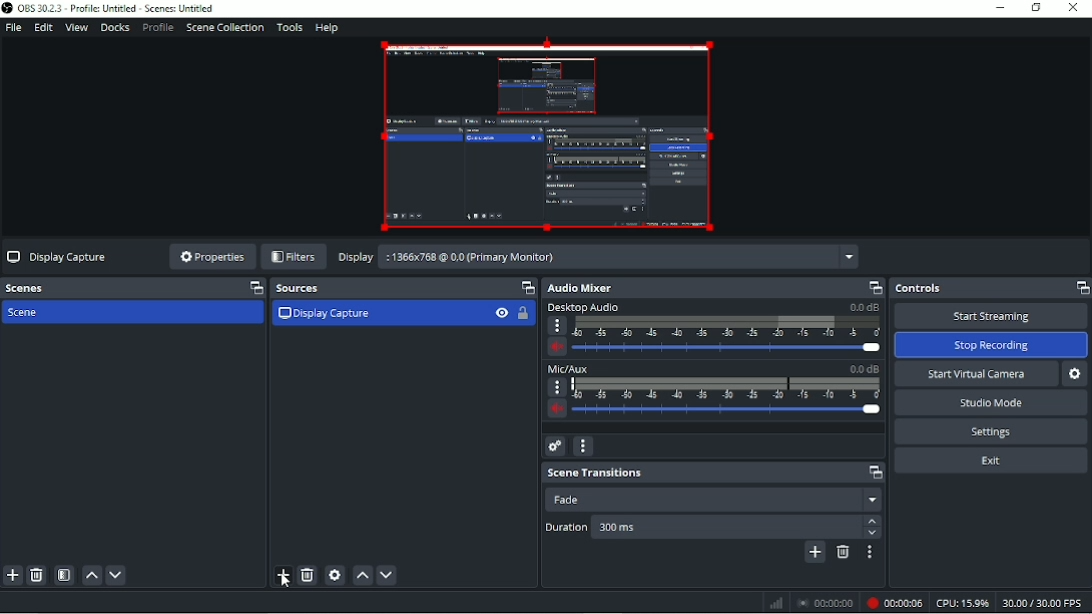  Describe the element at coordinates (500, 312) in the screenshot. I see `Visibility` at that location.